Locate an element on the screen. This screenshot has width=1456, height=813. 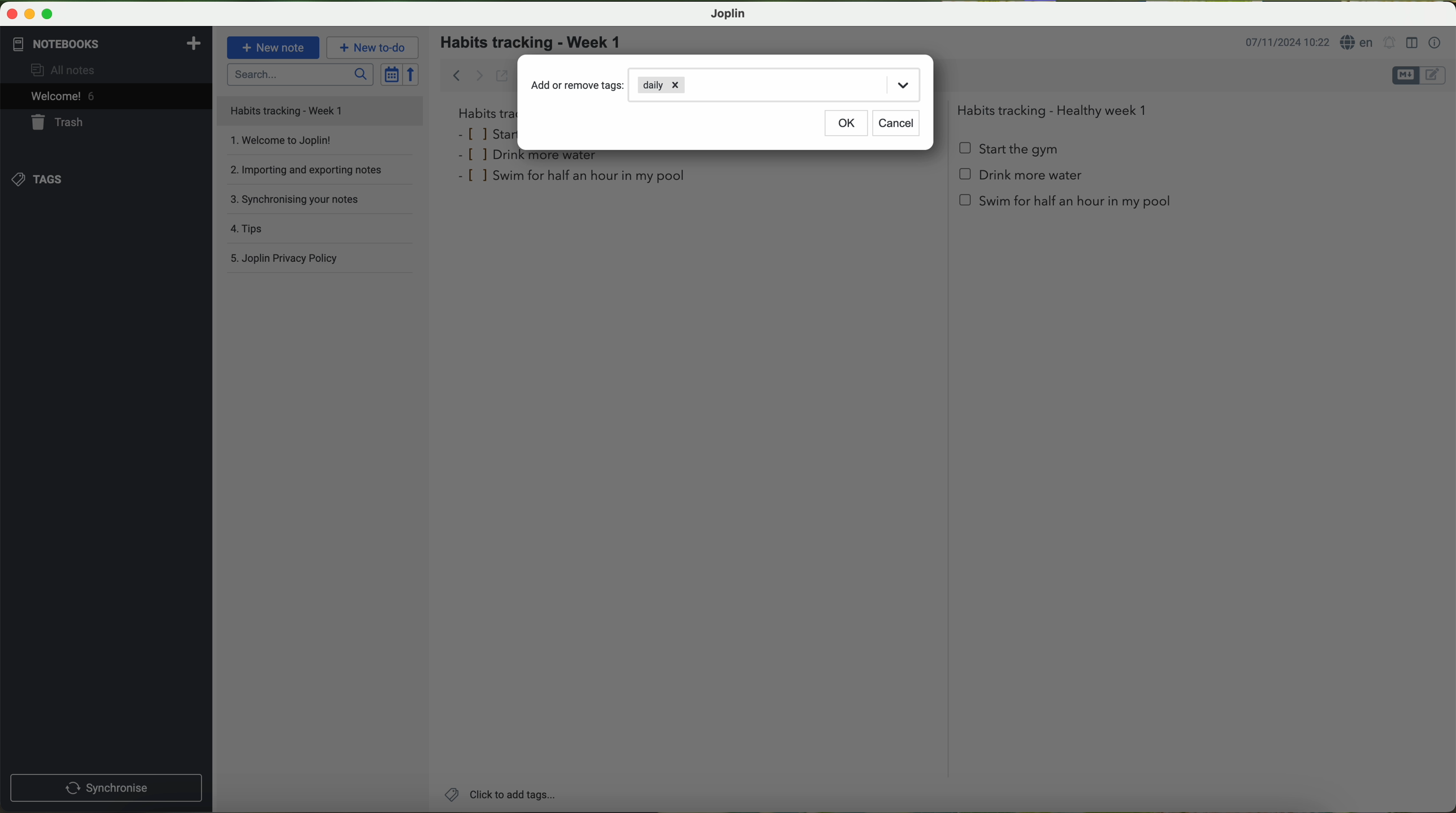
synchronising your notes is located at coordinates (324, 203).